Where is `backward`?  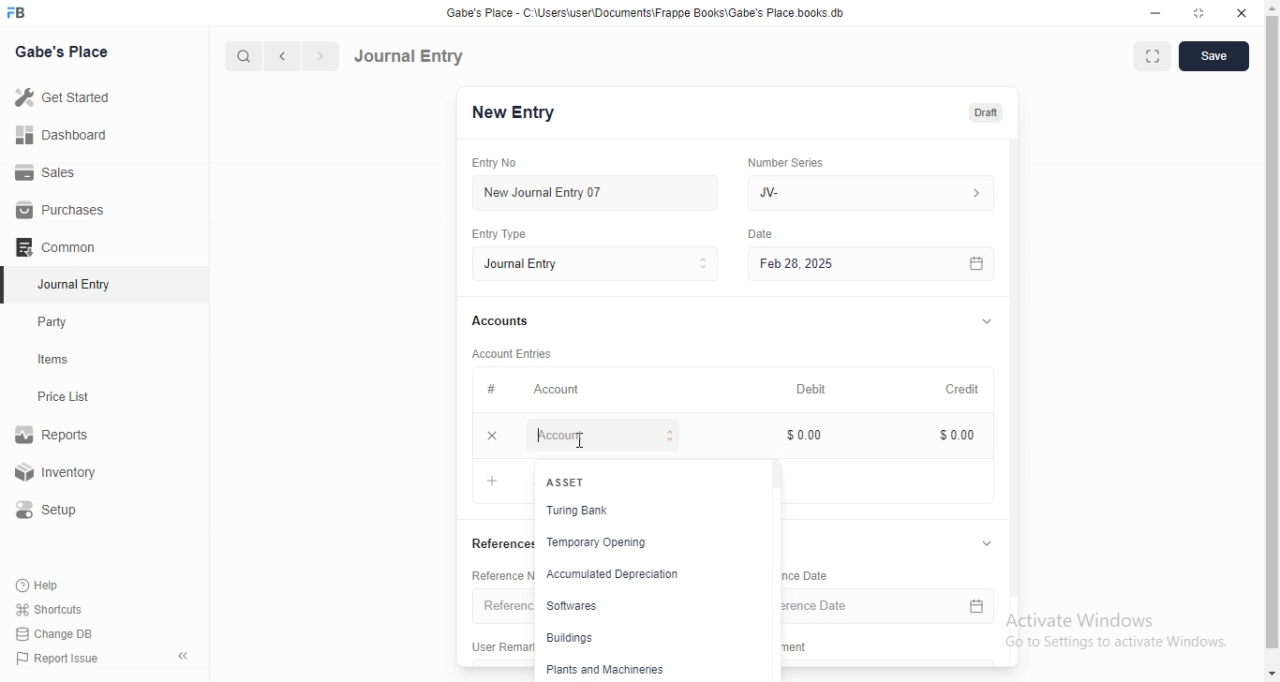
backward is located at coordinates (281, 56).